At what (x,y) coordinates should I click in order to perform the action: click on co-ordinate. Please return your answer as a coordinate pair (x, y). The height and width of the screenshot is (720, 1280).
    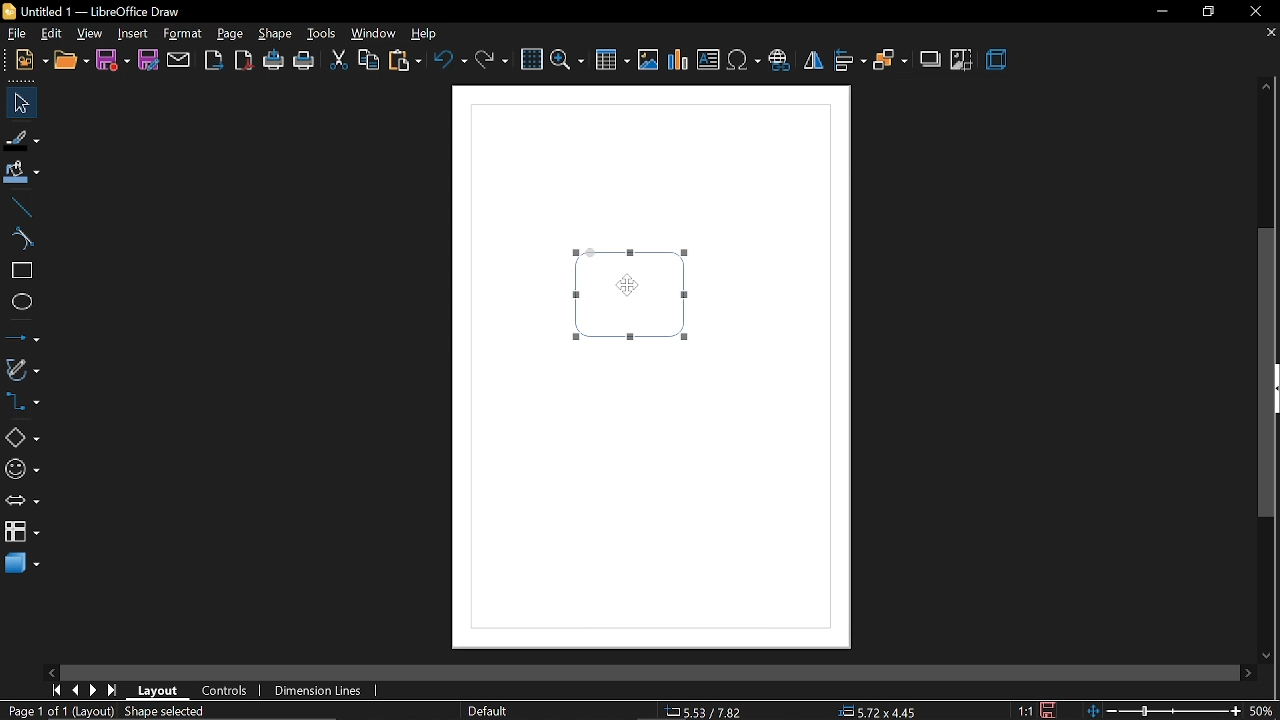
    Looking at the image, I should click on (705, 711).